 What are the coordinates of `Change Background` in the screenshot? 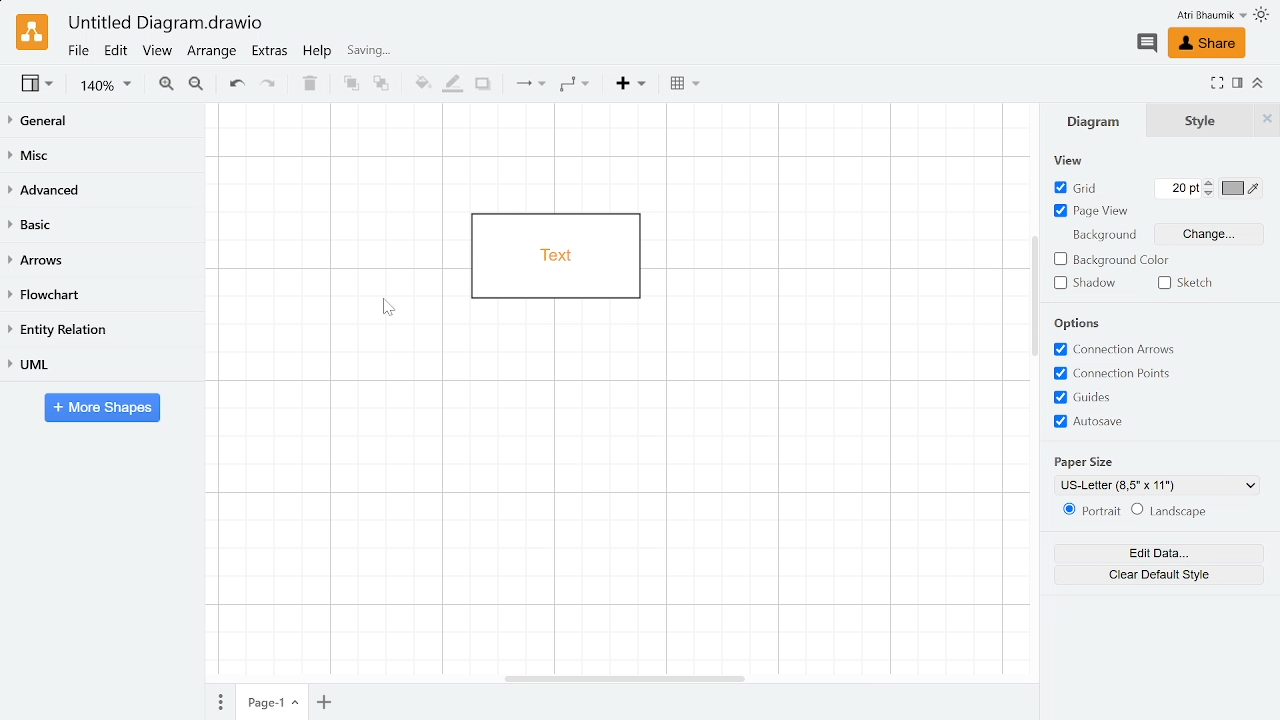 It's located at (1207, 234).